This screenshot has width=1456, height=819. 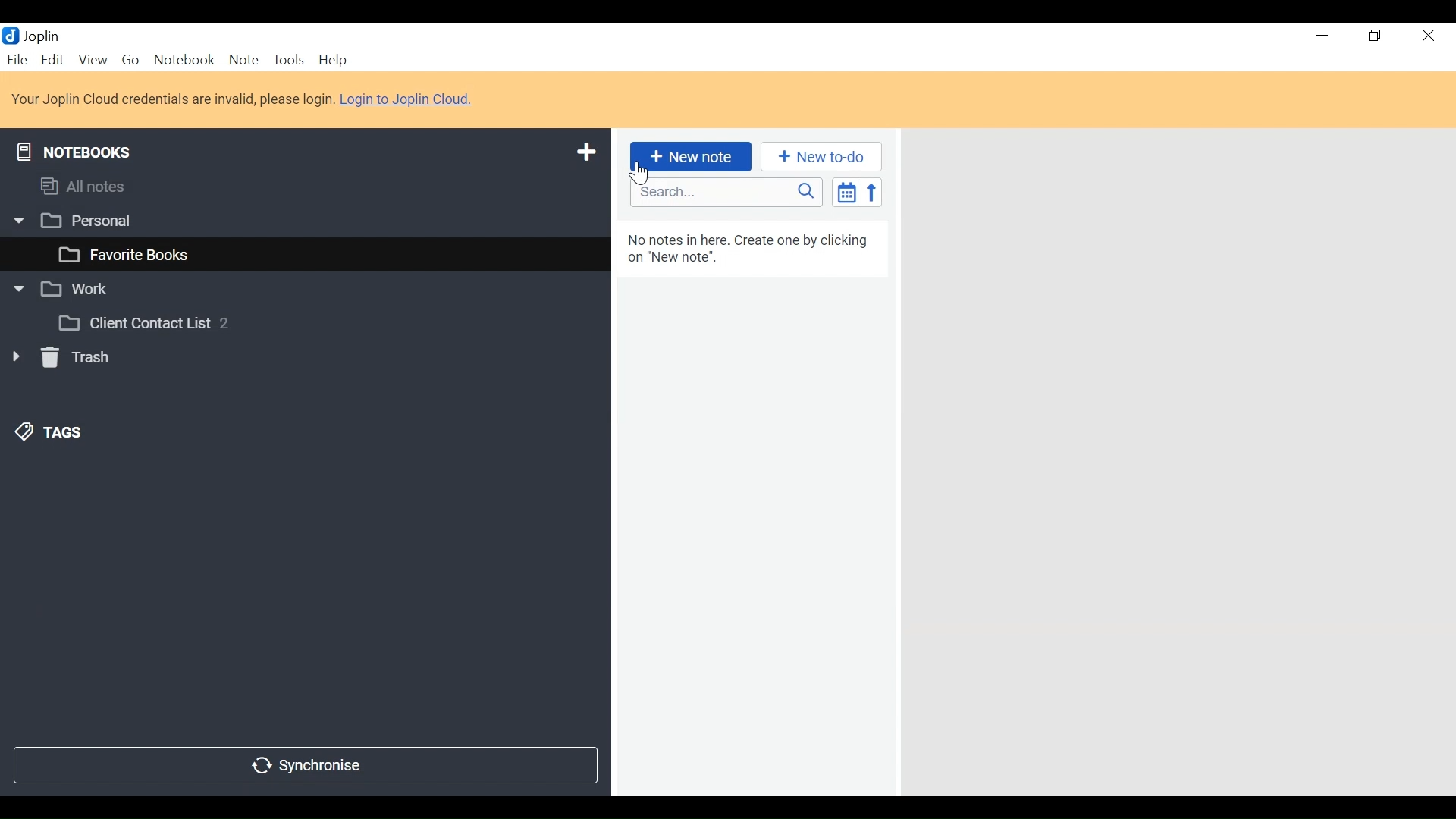 What do you see at coordinates (93, 61) in the screenshot?
I see `View` at bounding box center [93, 61].